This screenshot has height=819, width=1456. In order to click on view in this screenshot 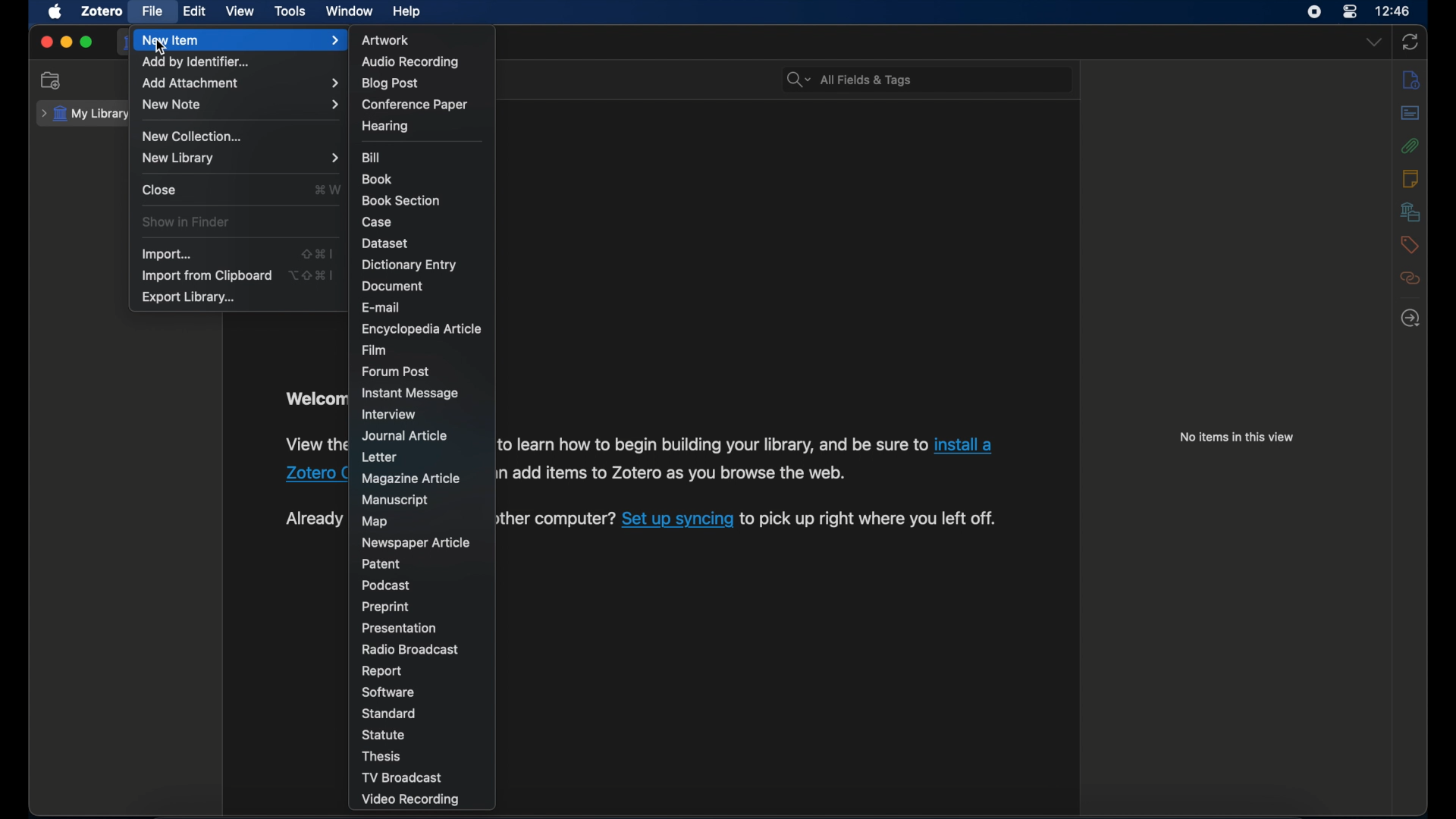, I will do `click(240, 12)`.